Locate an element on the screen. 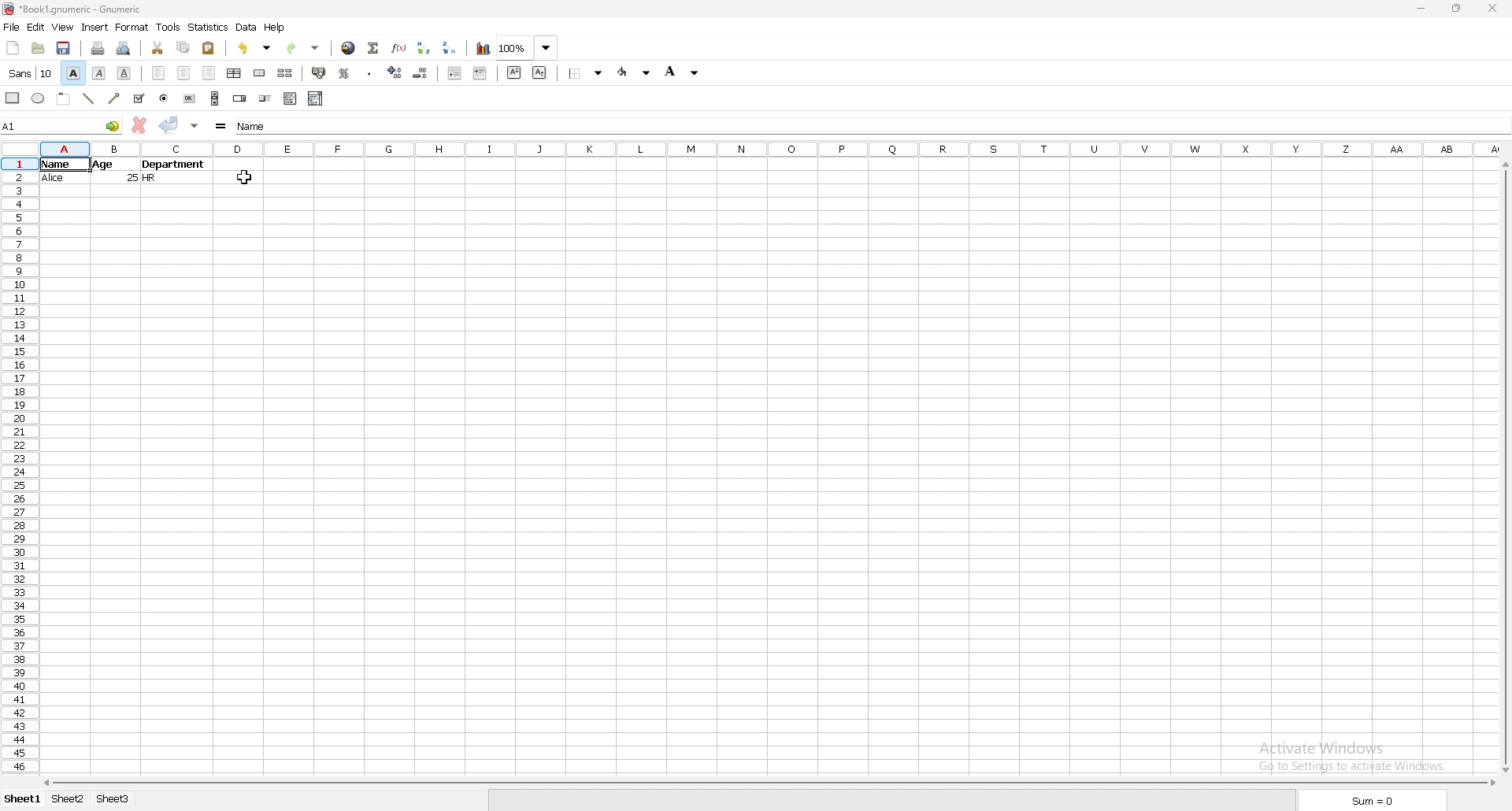 The image size is (1512, 811). print is located at coordinates (98, 48).